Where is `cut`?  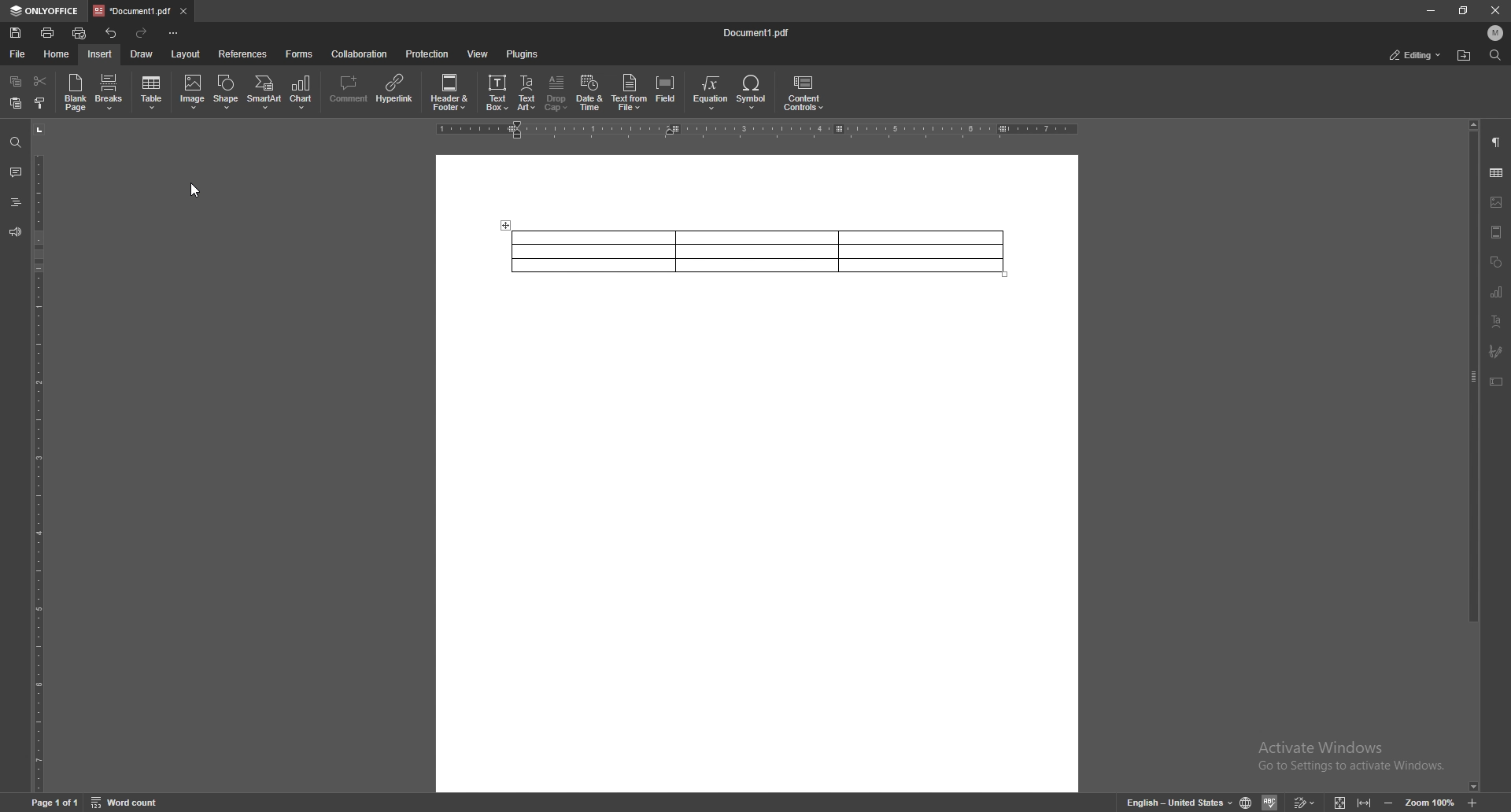 cut is located at coordinates (39, 80).